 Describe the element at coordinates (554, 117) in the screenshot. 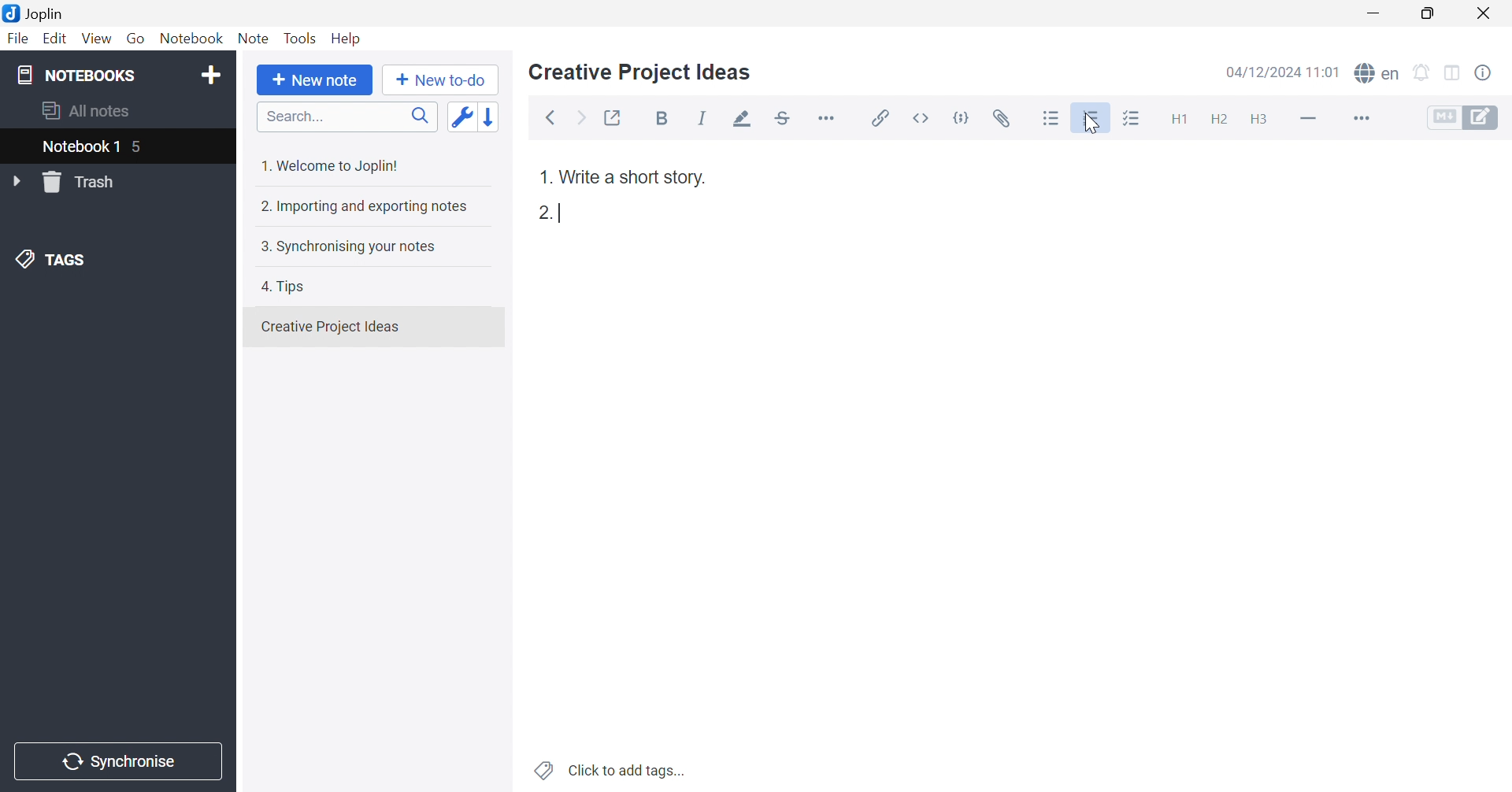

I see `Back` at that location.